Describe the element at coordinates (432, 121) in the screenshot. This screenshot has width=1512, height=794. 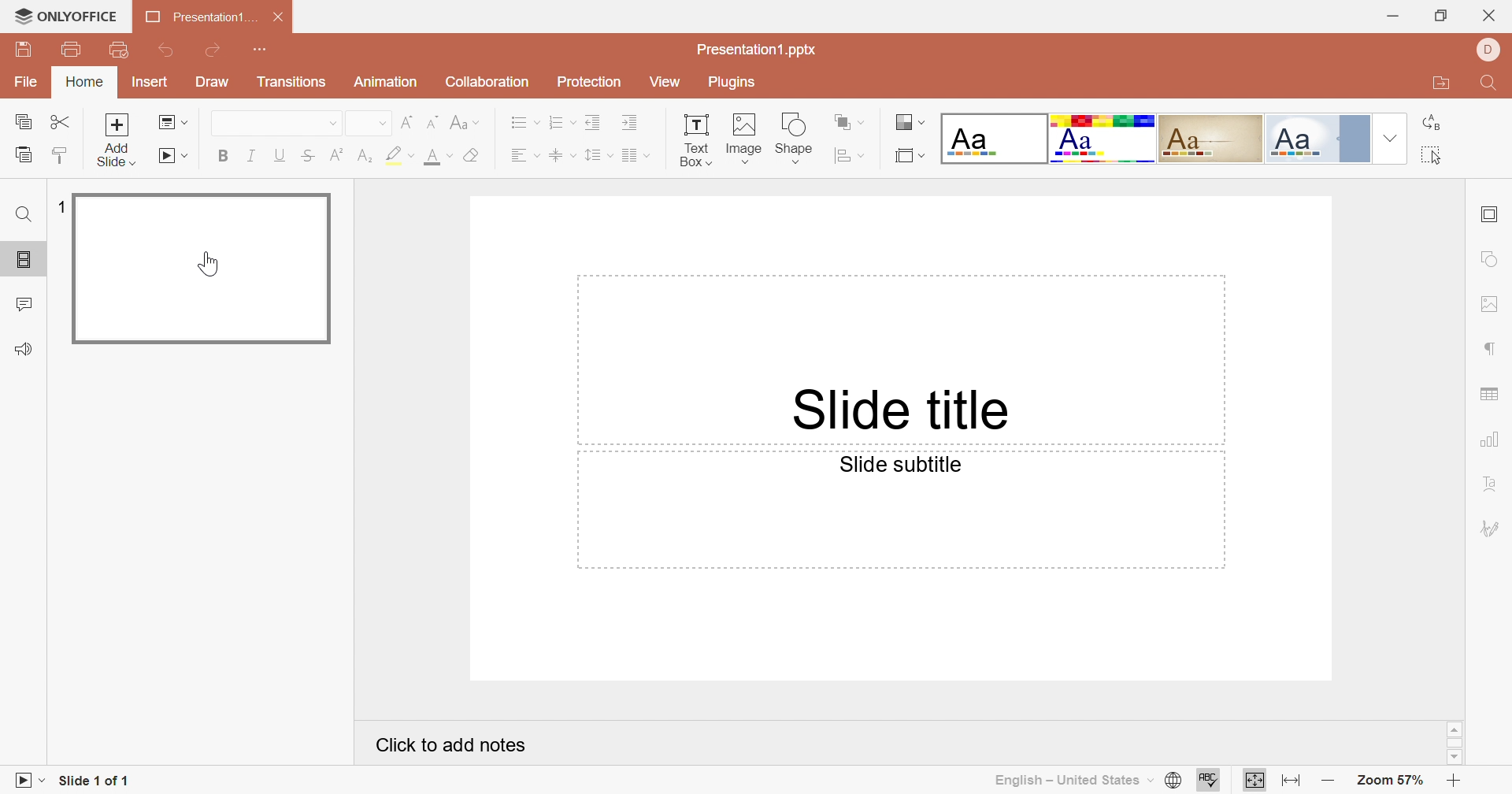
I see `Decrement font size` at that location.